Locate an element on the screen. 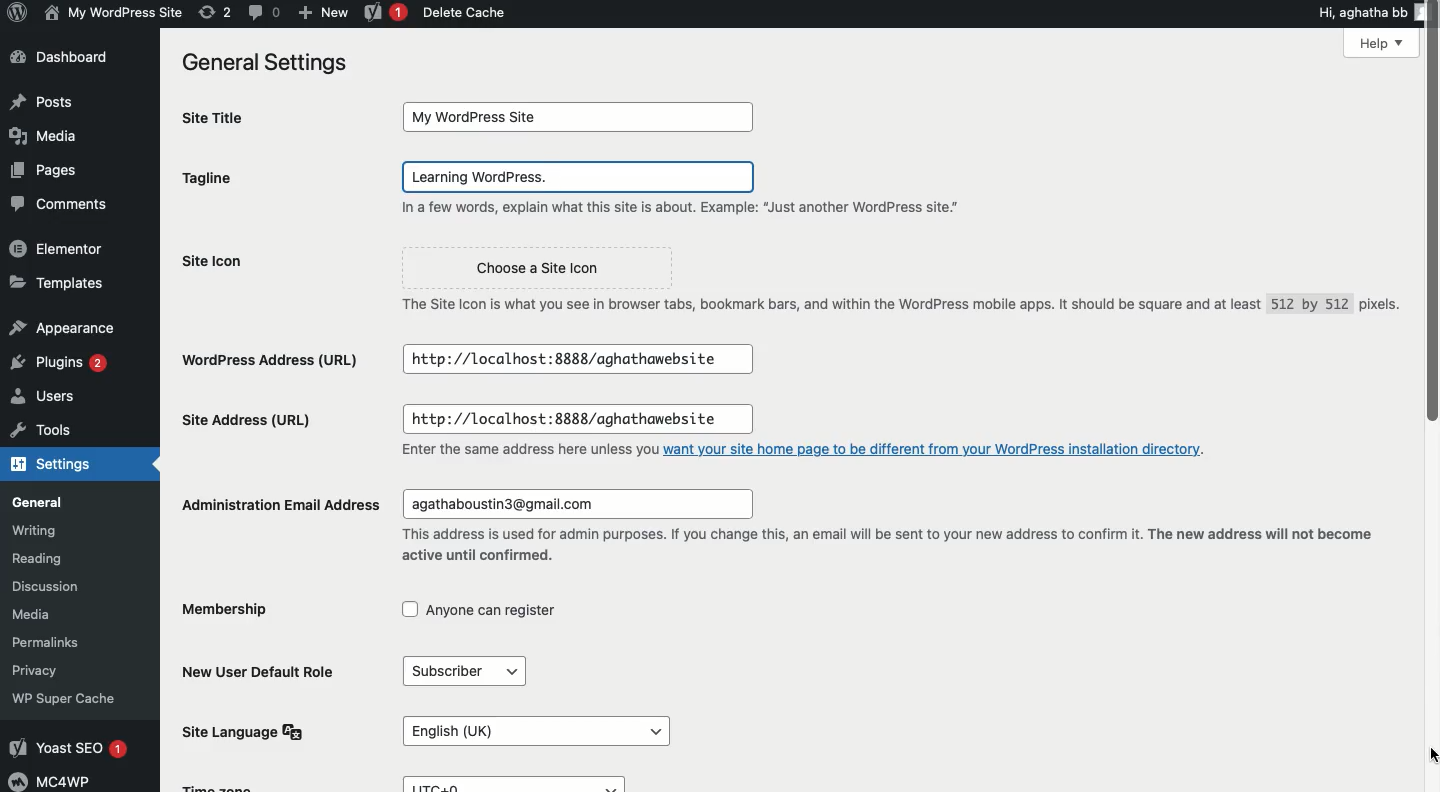 The height and width of the screenshot is (792, 1440). cursor is located at coordinates (1428, 753).